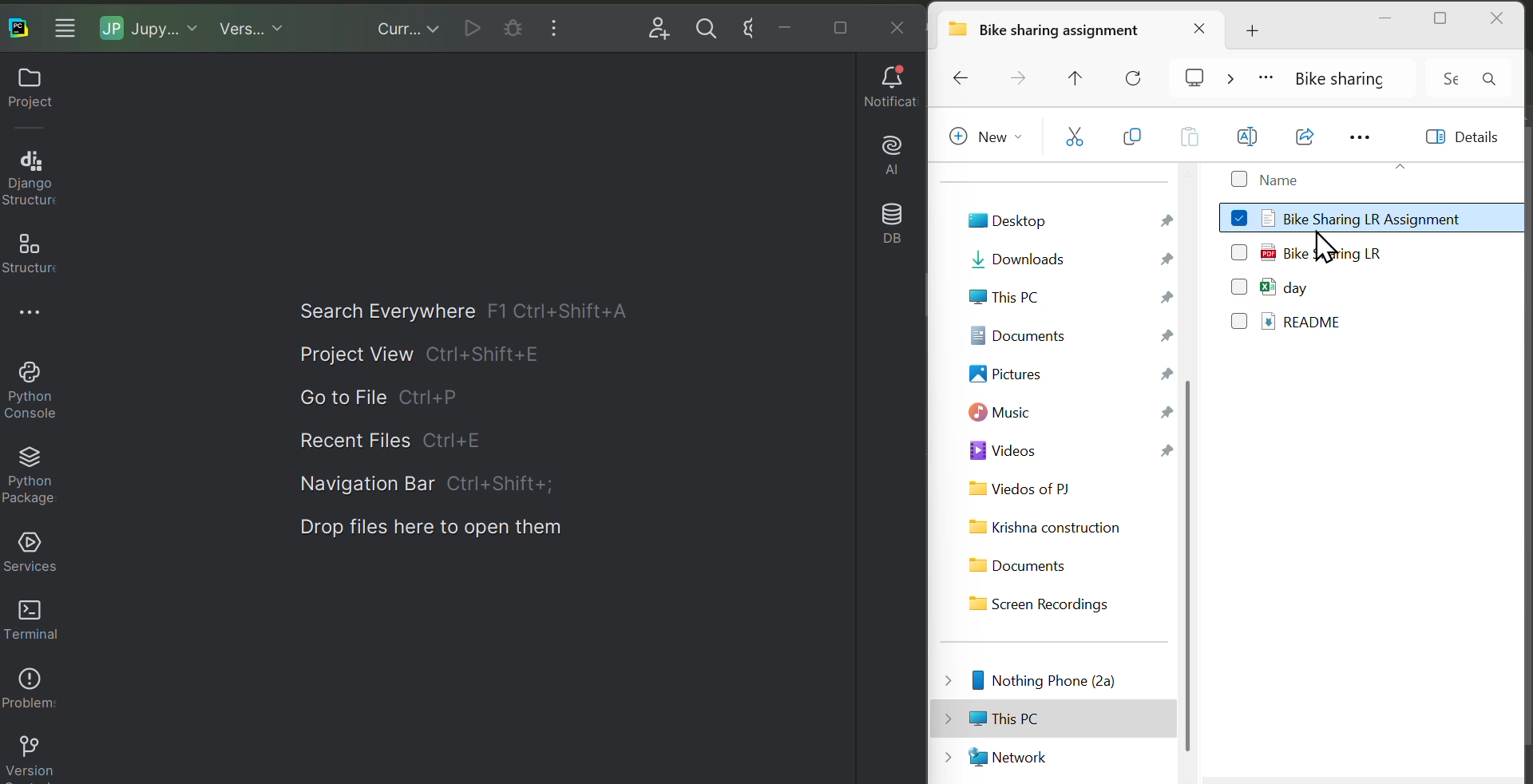 The width and height of the screenshot is (1533, 784). I want to click on Maximise, so click(837, 26).